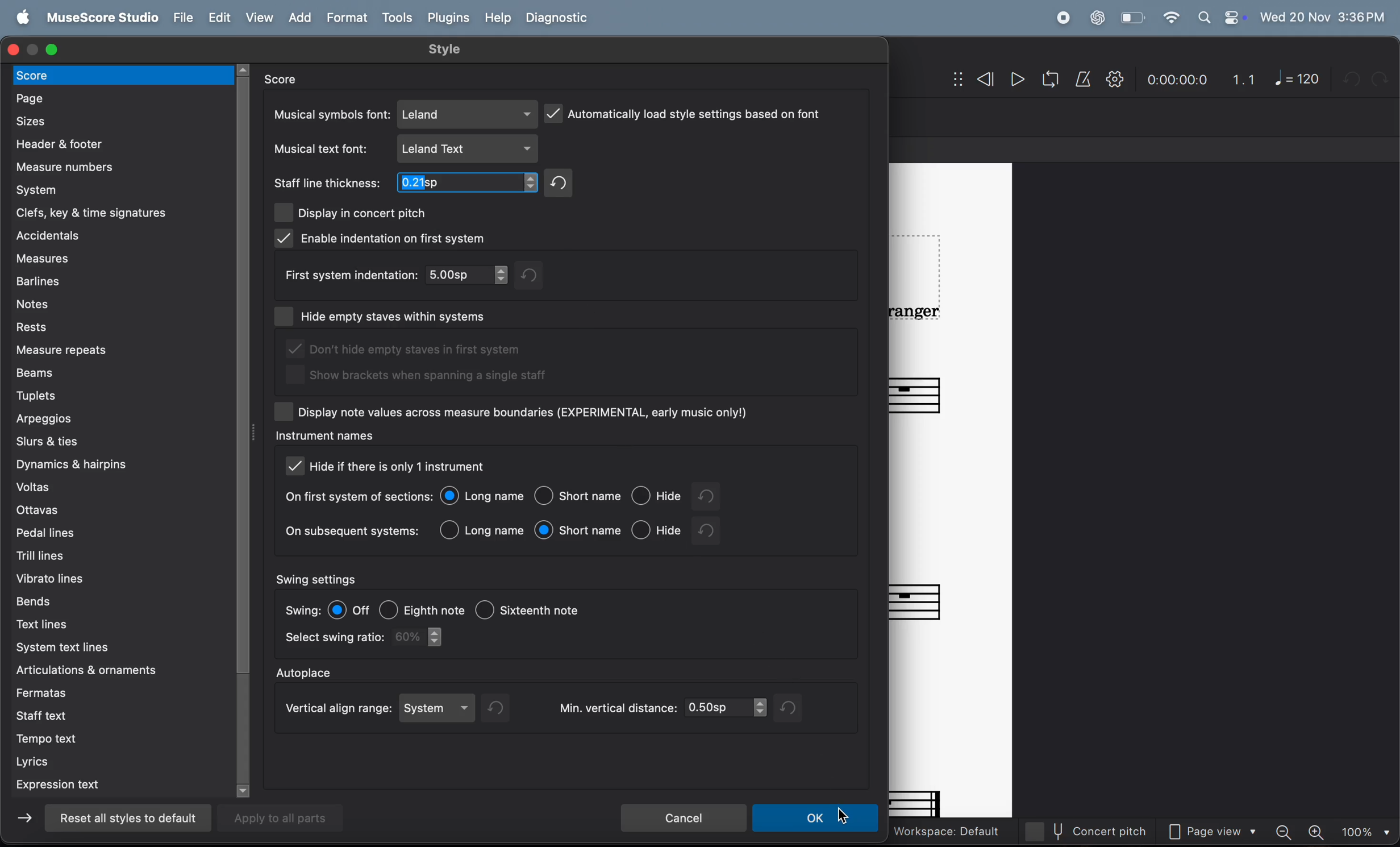 The width and height of the screenshot is (1400, 847). I want to click on Redo, so click(1384, 78).